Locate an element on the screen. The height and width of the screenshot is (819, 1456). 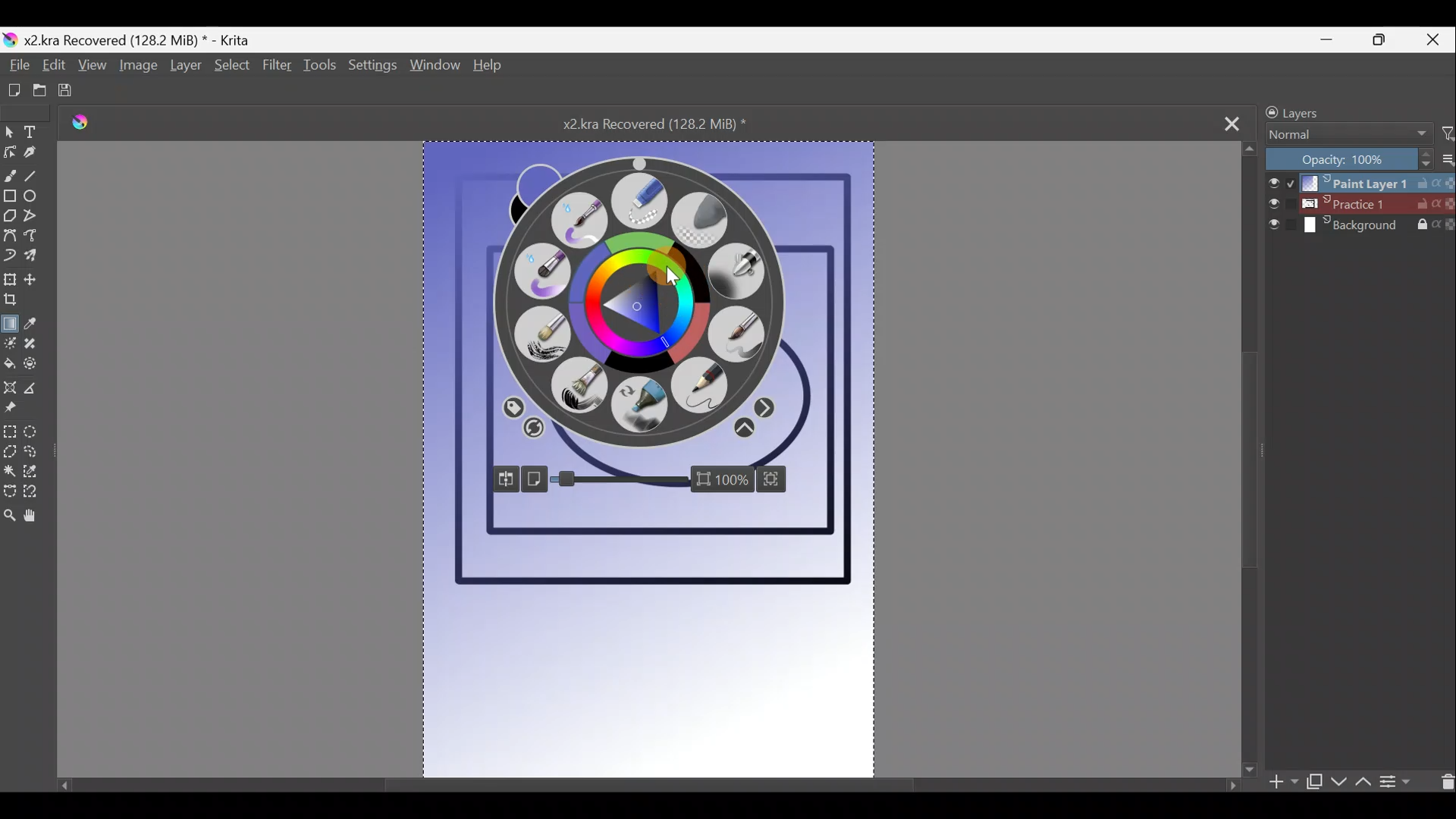
Line tool is located at coordinates (34, 178).